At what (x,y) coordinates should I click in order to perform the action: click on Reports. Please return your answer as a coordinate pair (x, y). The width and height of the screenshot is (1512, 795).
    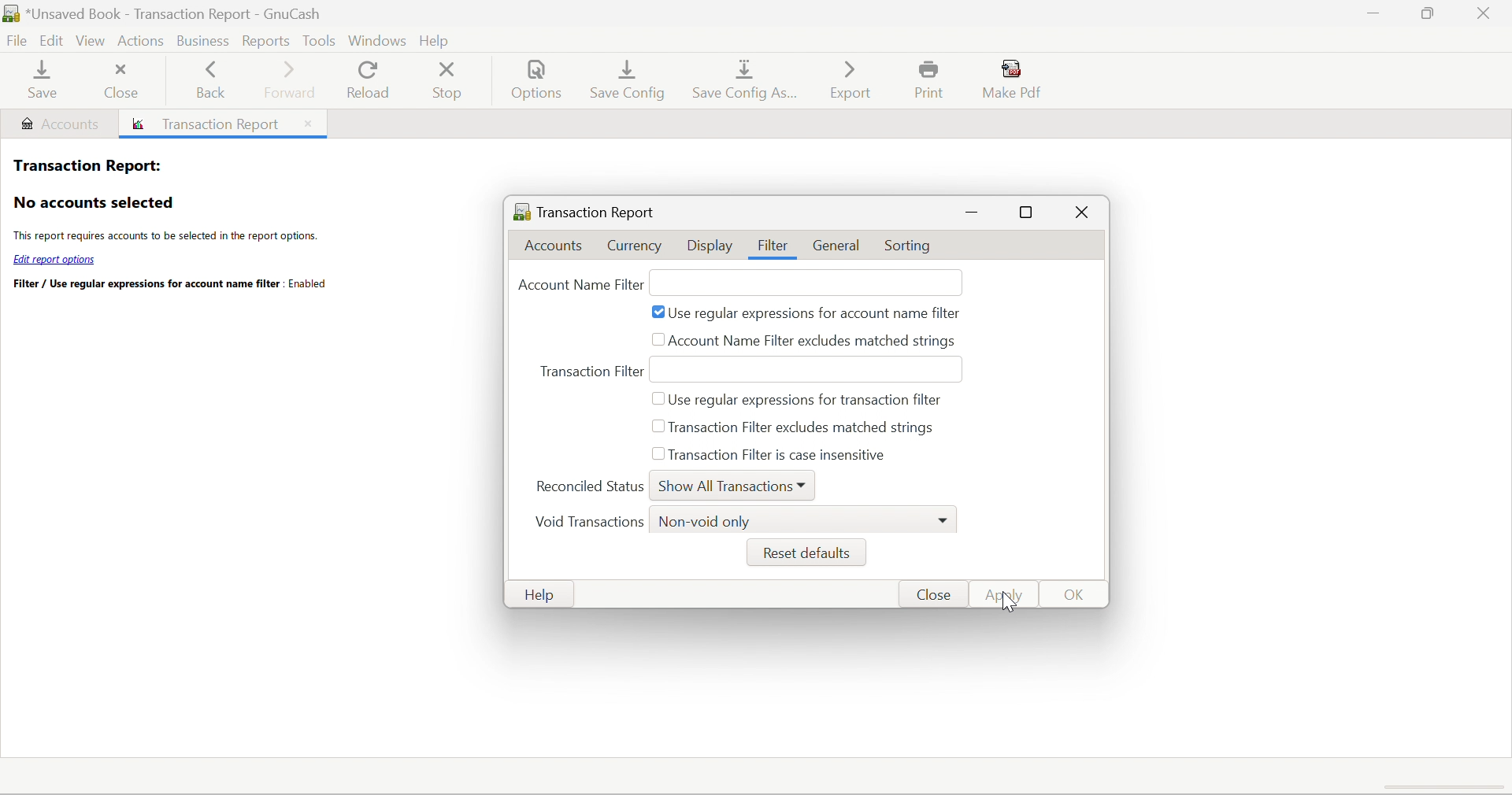
    Looking at the image, I should click on (268, 40).